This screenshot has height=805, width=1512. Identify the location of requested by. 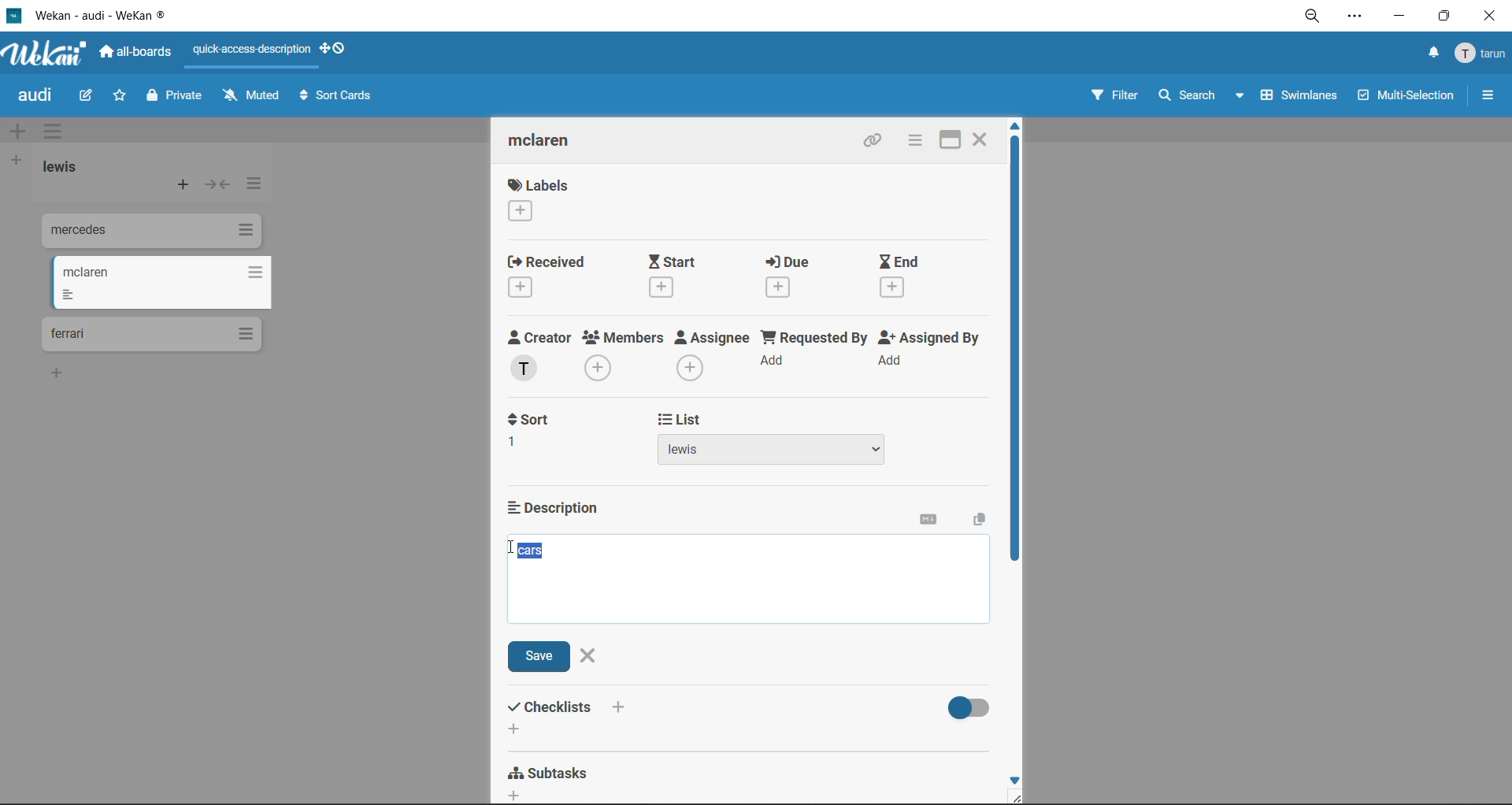
(813, 354).